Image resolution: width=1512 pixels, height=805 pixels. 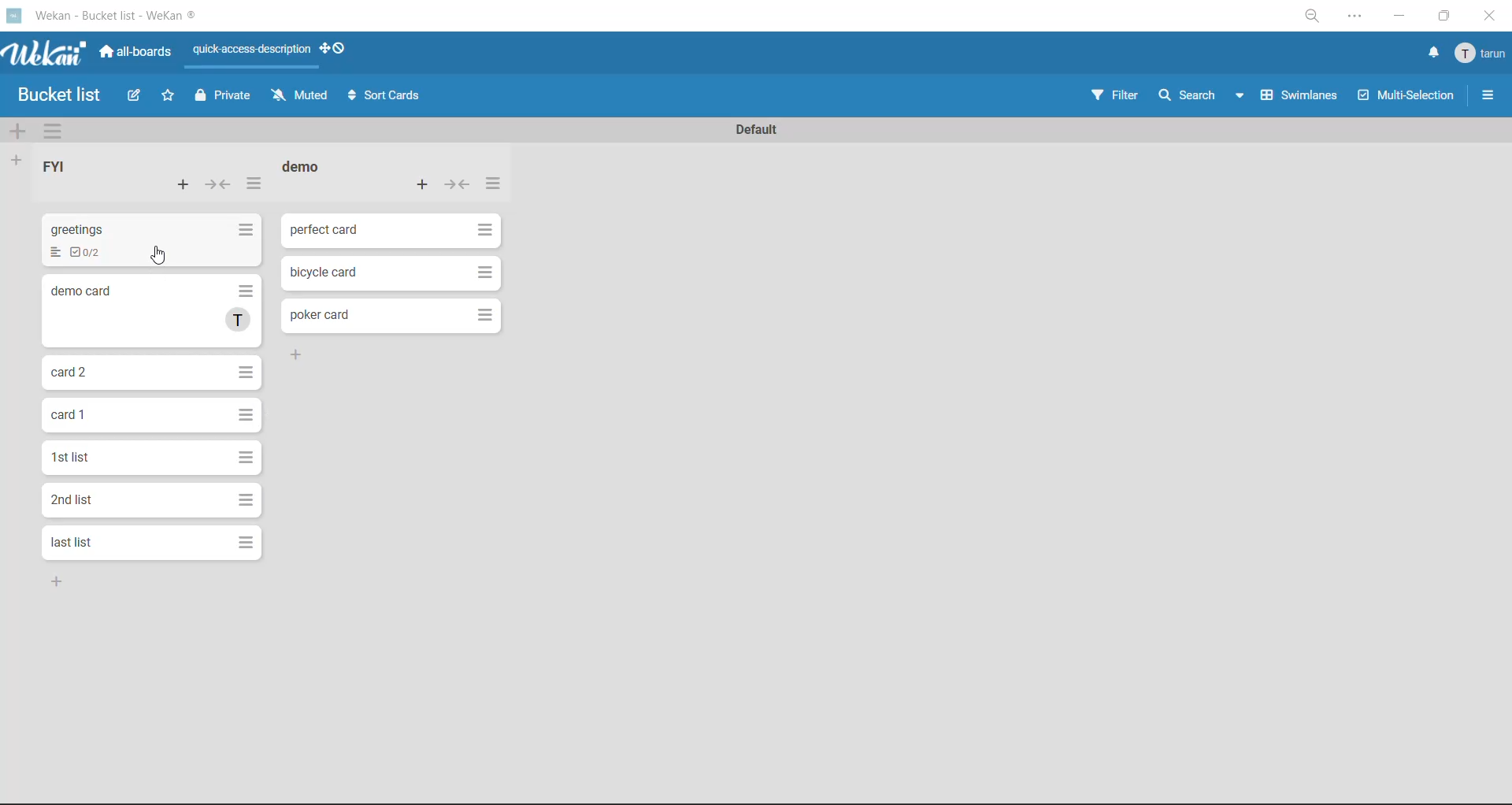 I want to click on card 2, so click(x=150, y=311).